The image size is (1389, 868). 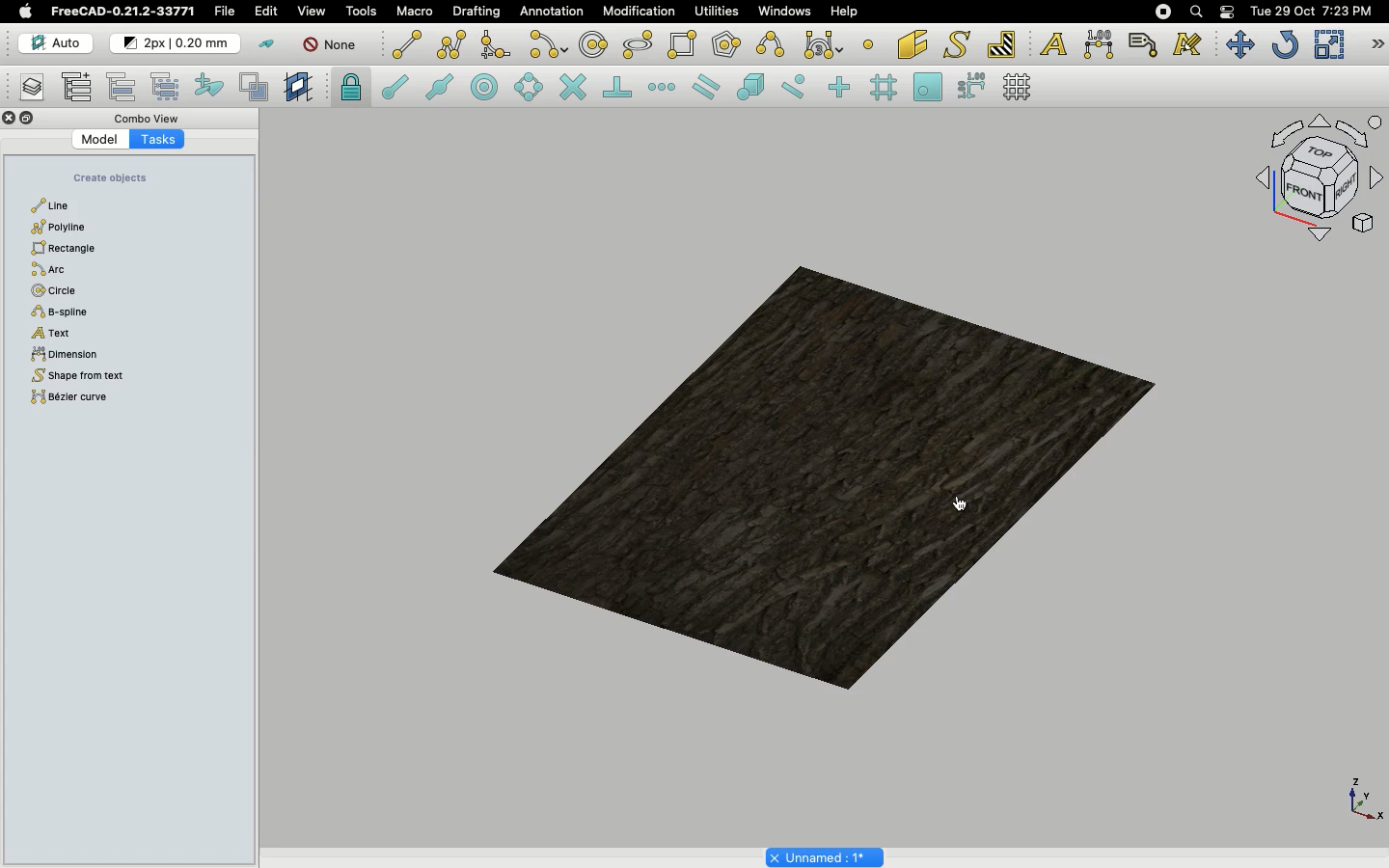 What do you see at coordinates (329, 46) in the screenshot?
I see `None` at bounding box center [329, 46].